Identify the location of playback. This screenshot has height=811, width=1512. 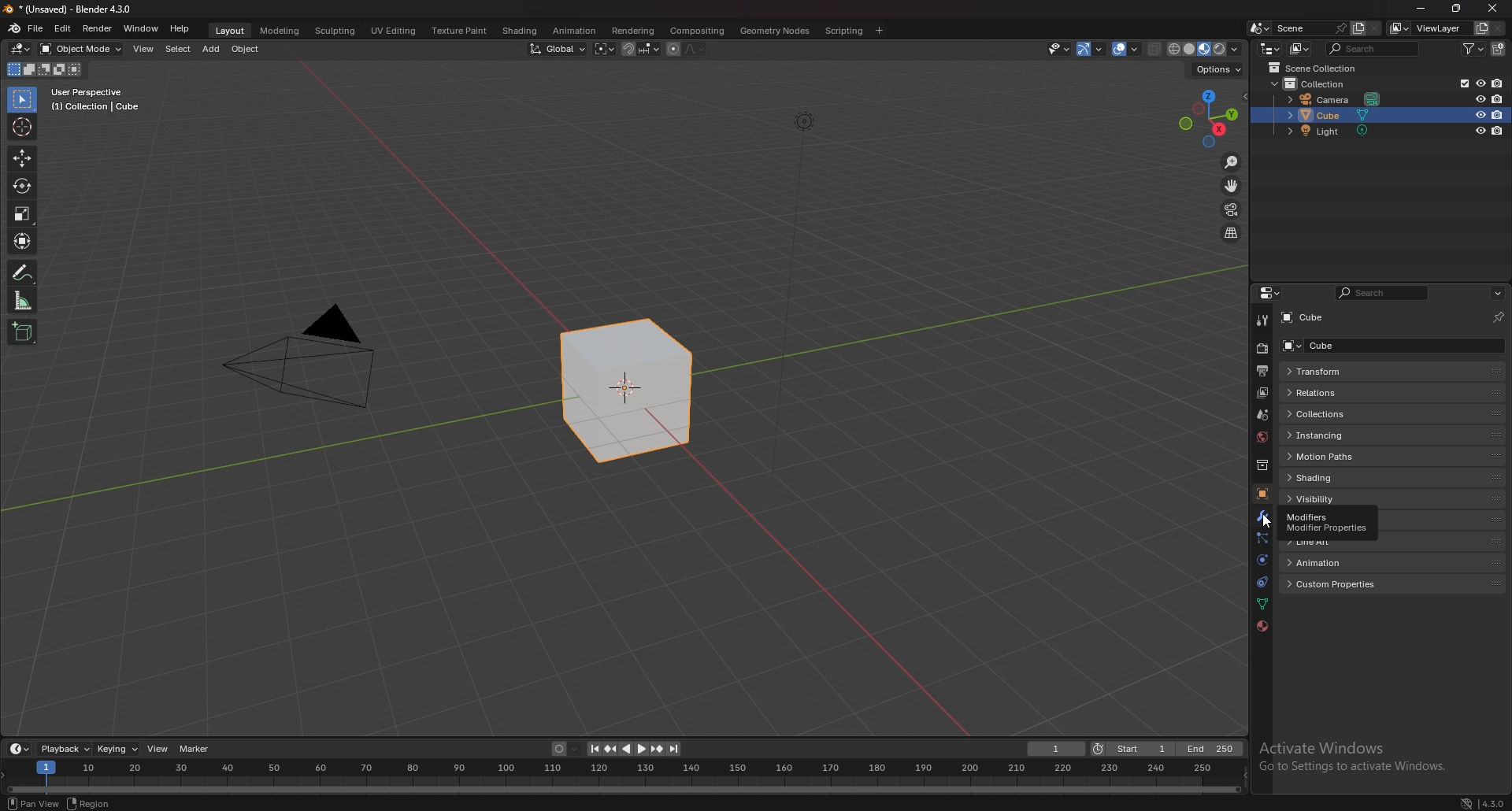
(67, 749).